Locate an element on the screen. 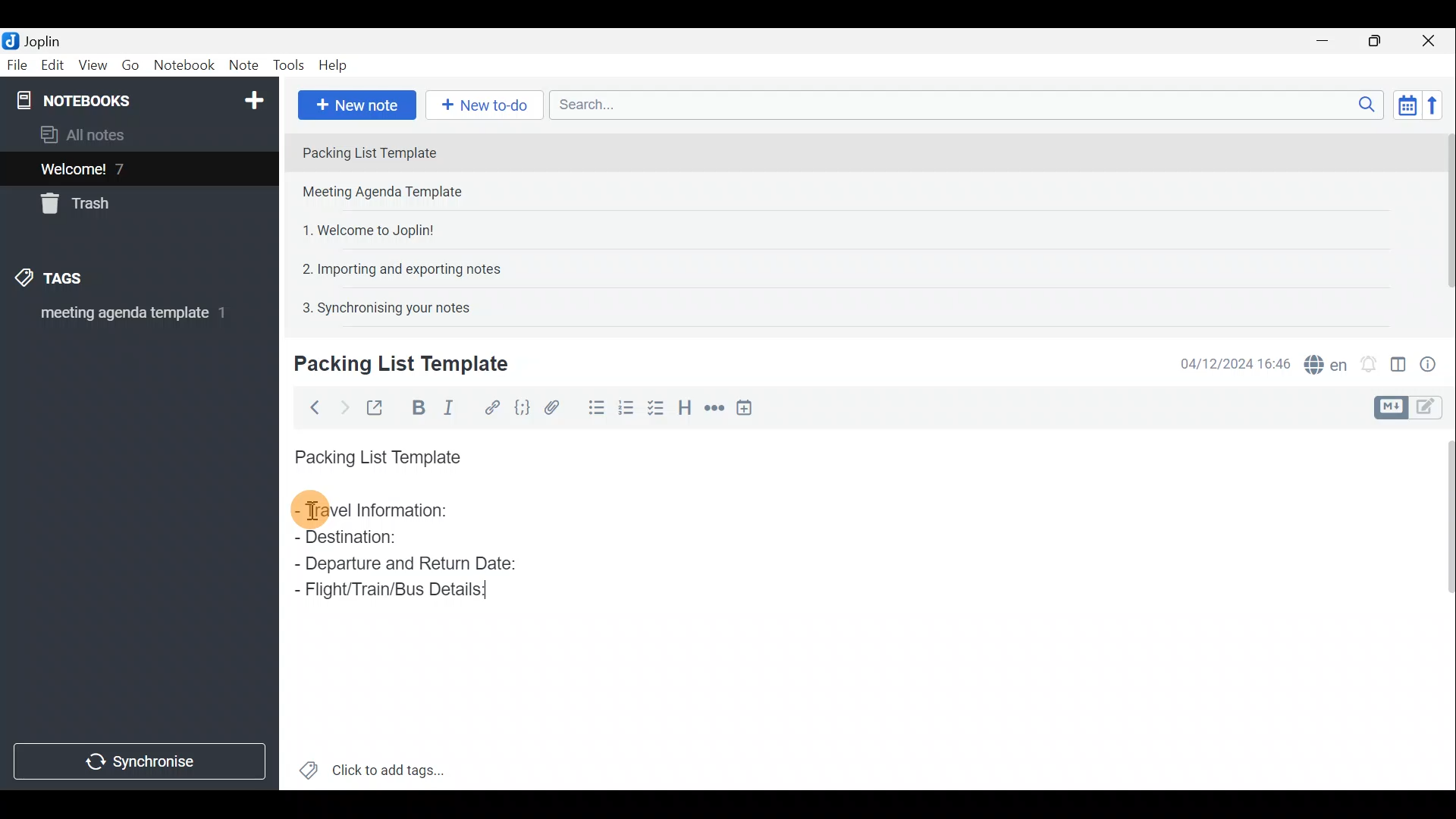 The image size is (1456, 819). Flight/Train/Bus Details: is located at coordinates (395, 591).